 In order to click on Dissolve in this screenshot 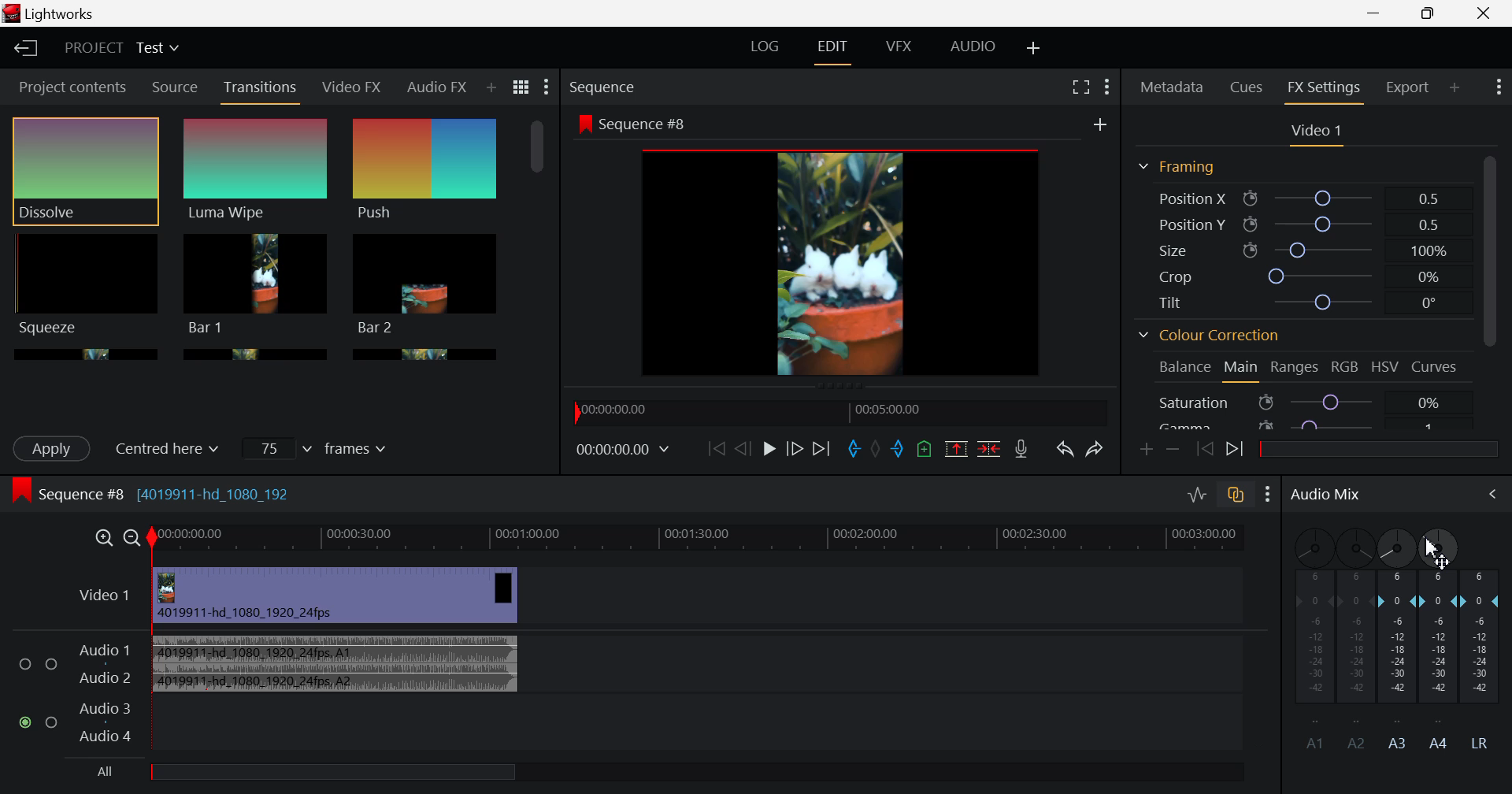, I will do `click(85, 172)`.